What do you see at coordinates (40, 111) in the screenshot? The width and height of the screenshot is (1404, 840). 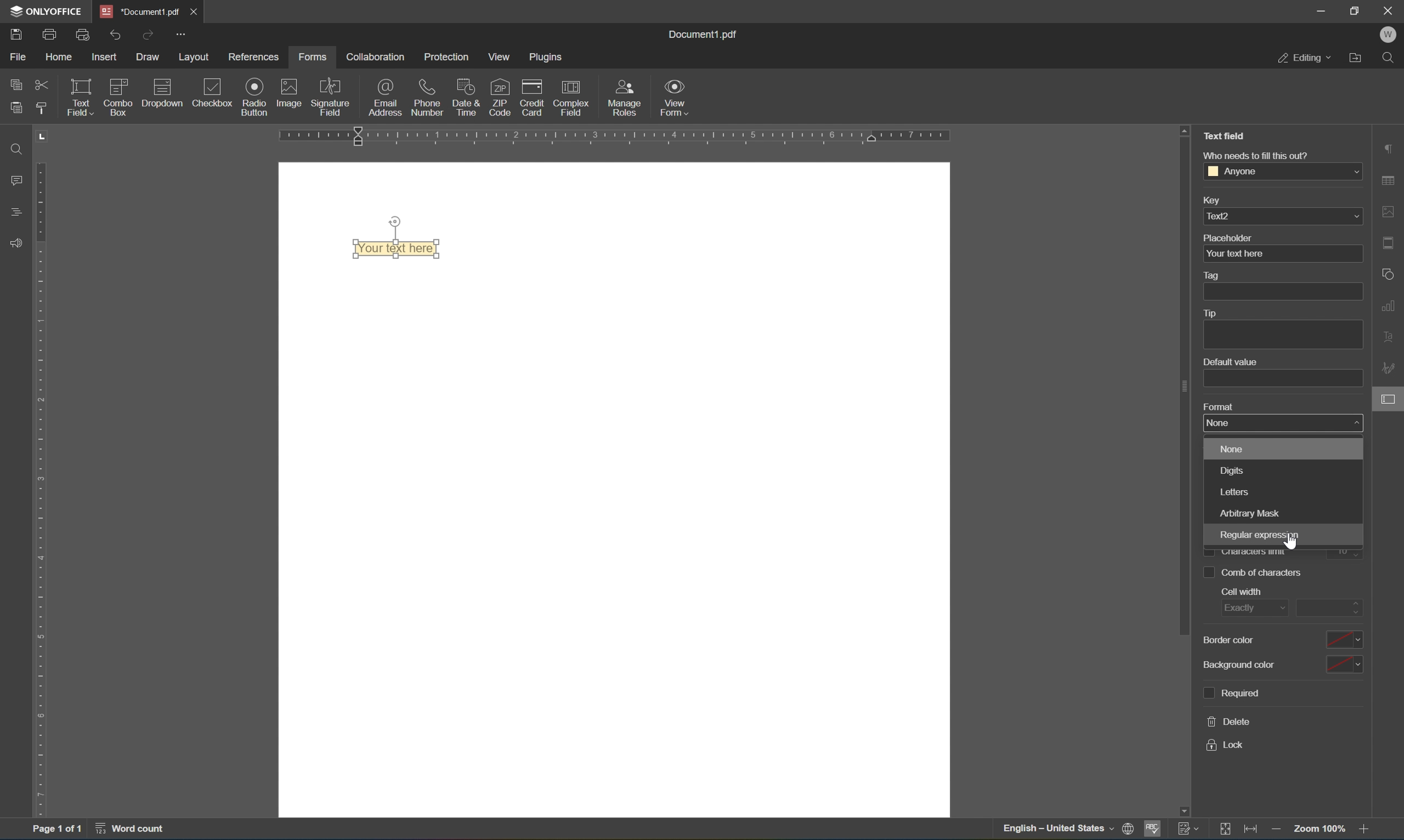 I see `copy style` at bounding box center [40, 111].